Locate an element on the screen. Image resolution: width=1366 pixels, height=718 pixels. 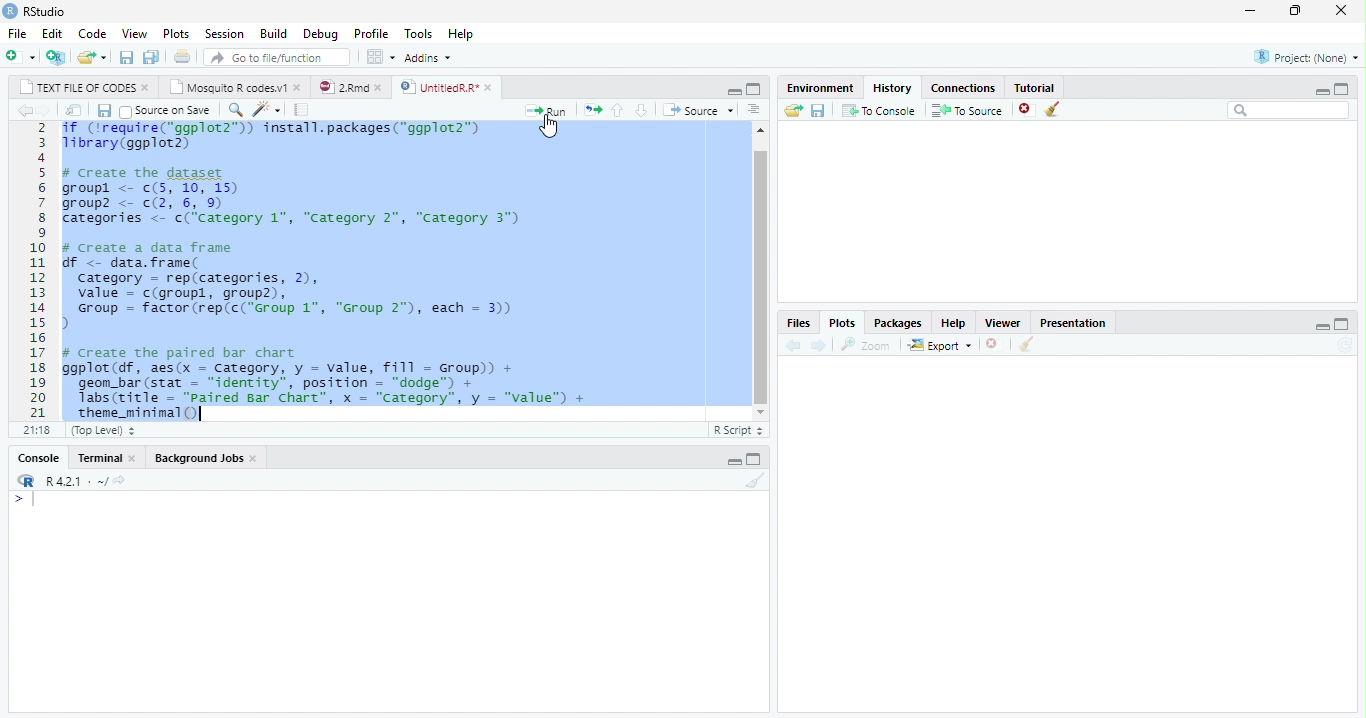
go to next section is located at coordinates (753, 110).